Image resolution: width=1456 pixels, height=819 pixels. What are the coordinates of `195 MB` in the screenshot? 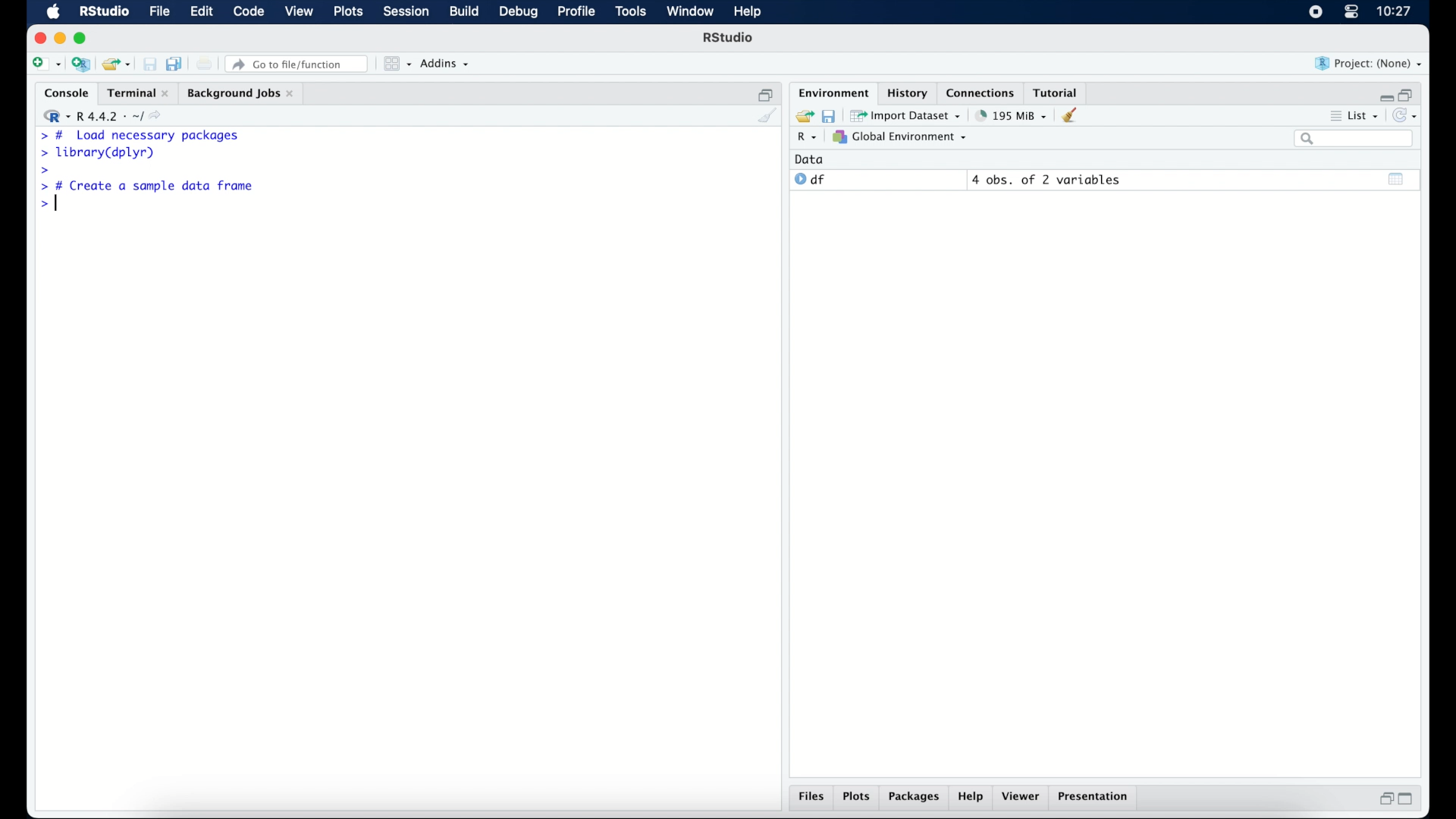 It's located at (1010, 115).